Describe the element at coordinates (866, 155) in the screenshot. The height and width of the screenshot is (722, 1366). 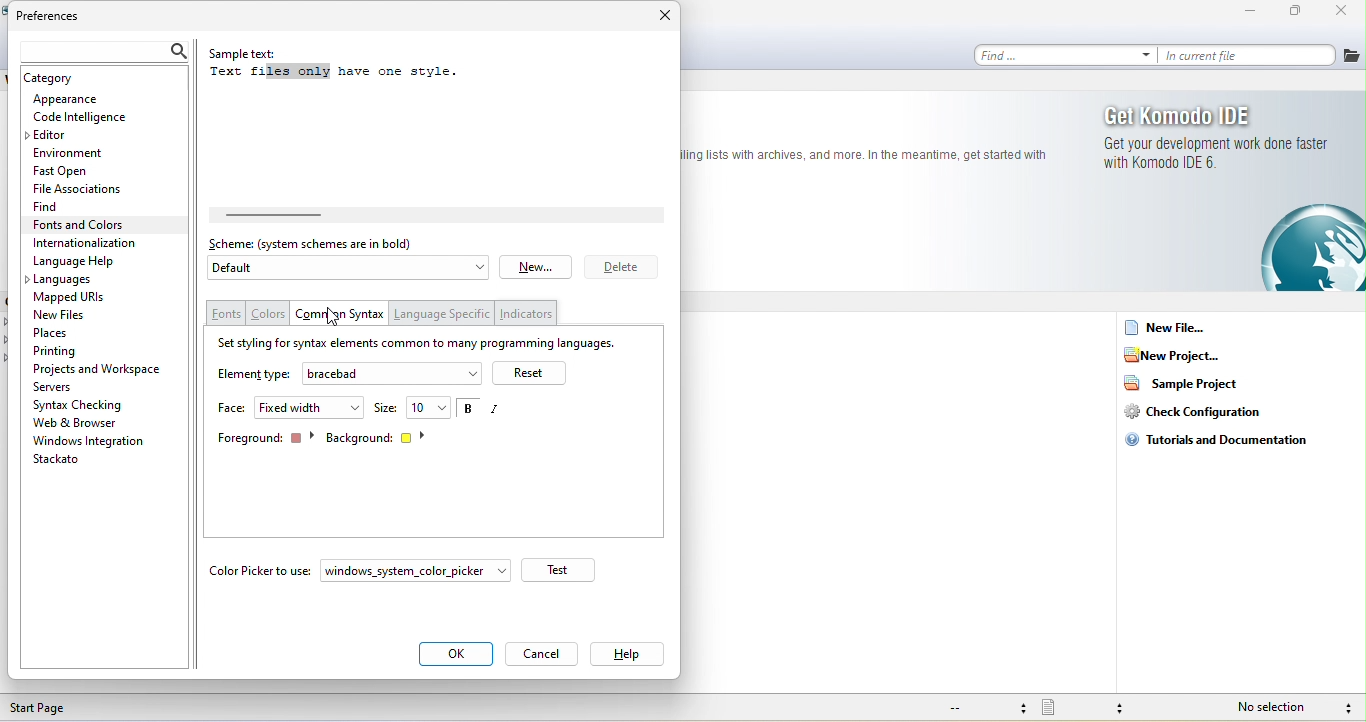
I see `text` at that location.